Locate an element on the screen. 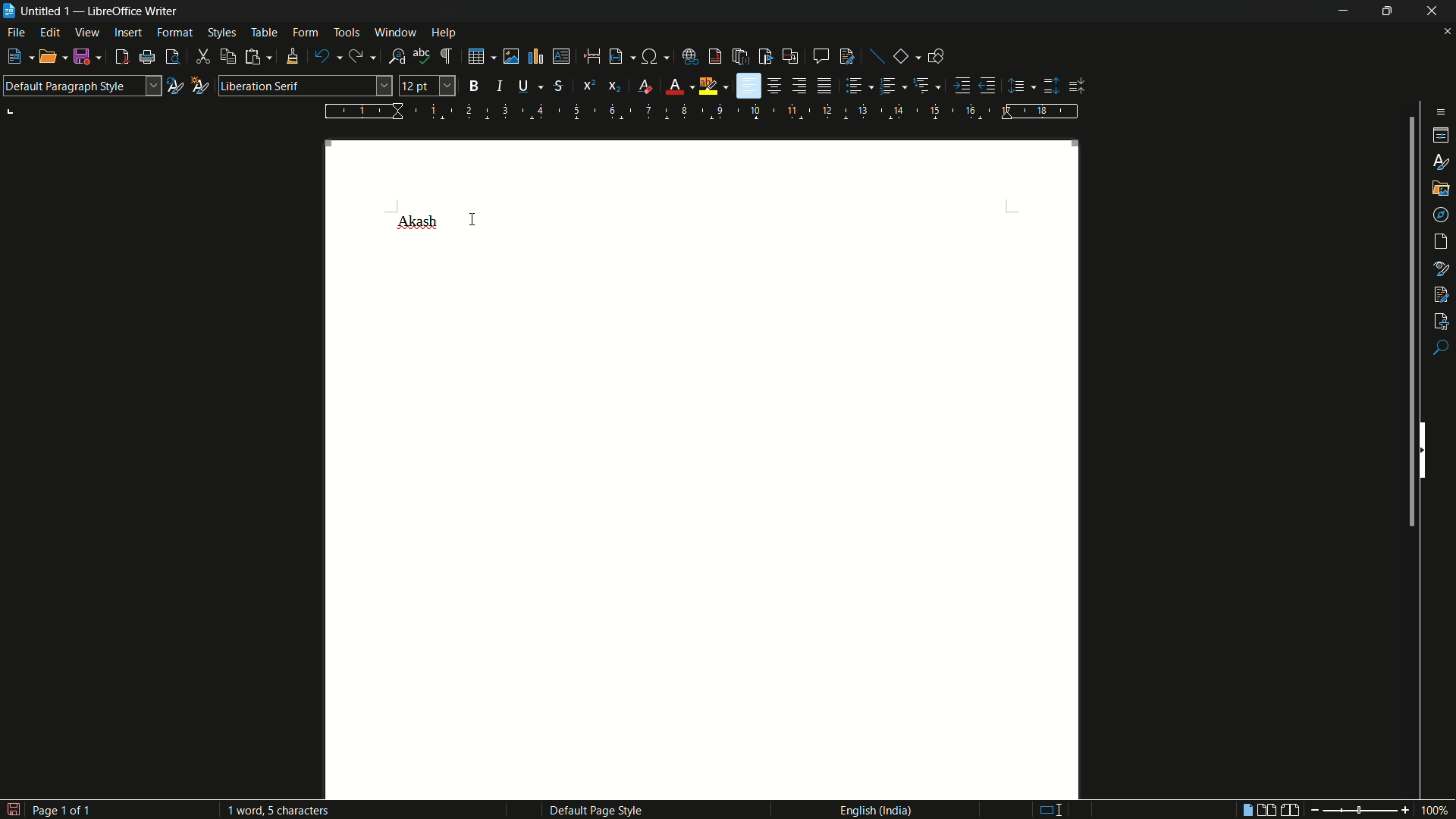 This screenshot has height=819, width=1456. insert hyperlink is located at coordinates (683, 57).